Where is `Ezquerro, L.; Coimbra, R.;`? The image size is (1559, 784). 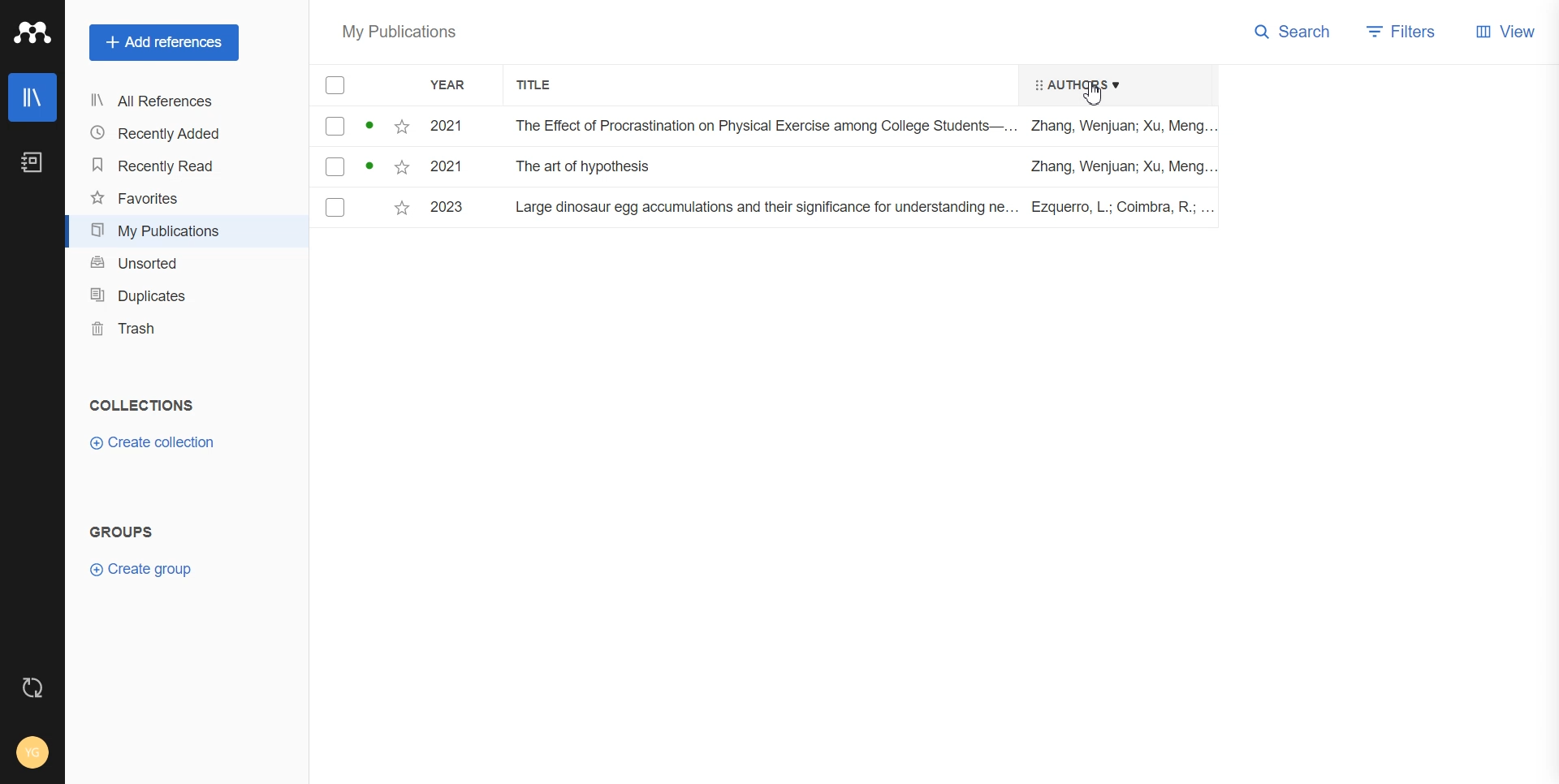
Ezquerro, L.; Coimbra, R.; is located at coordinates (1121, 209).